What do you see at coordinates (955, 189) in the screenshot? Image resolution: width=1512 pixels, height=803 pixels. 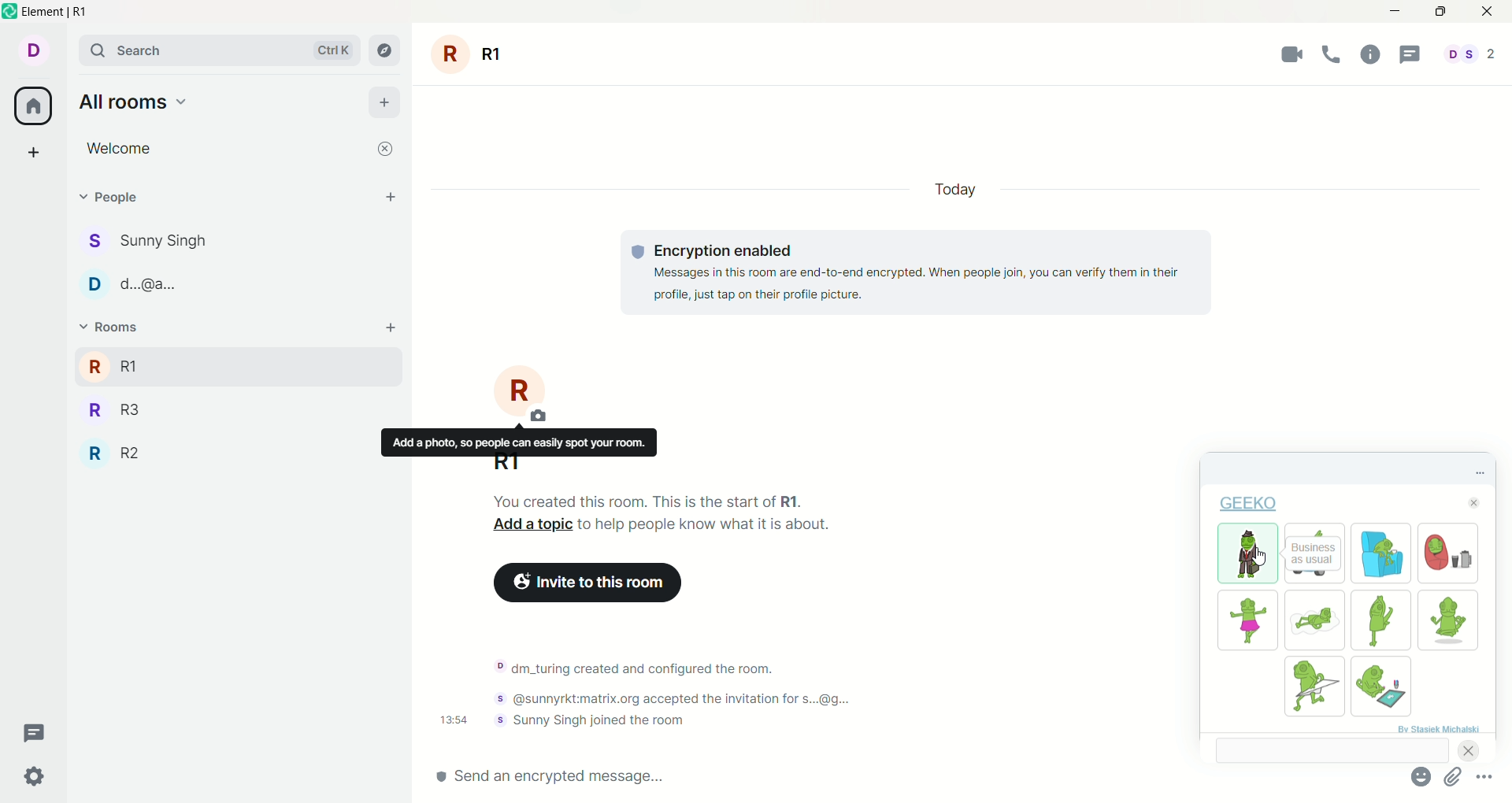 I see `today` at bounding box center [955, 189].